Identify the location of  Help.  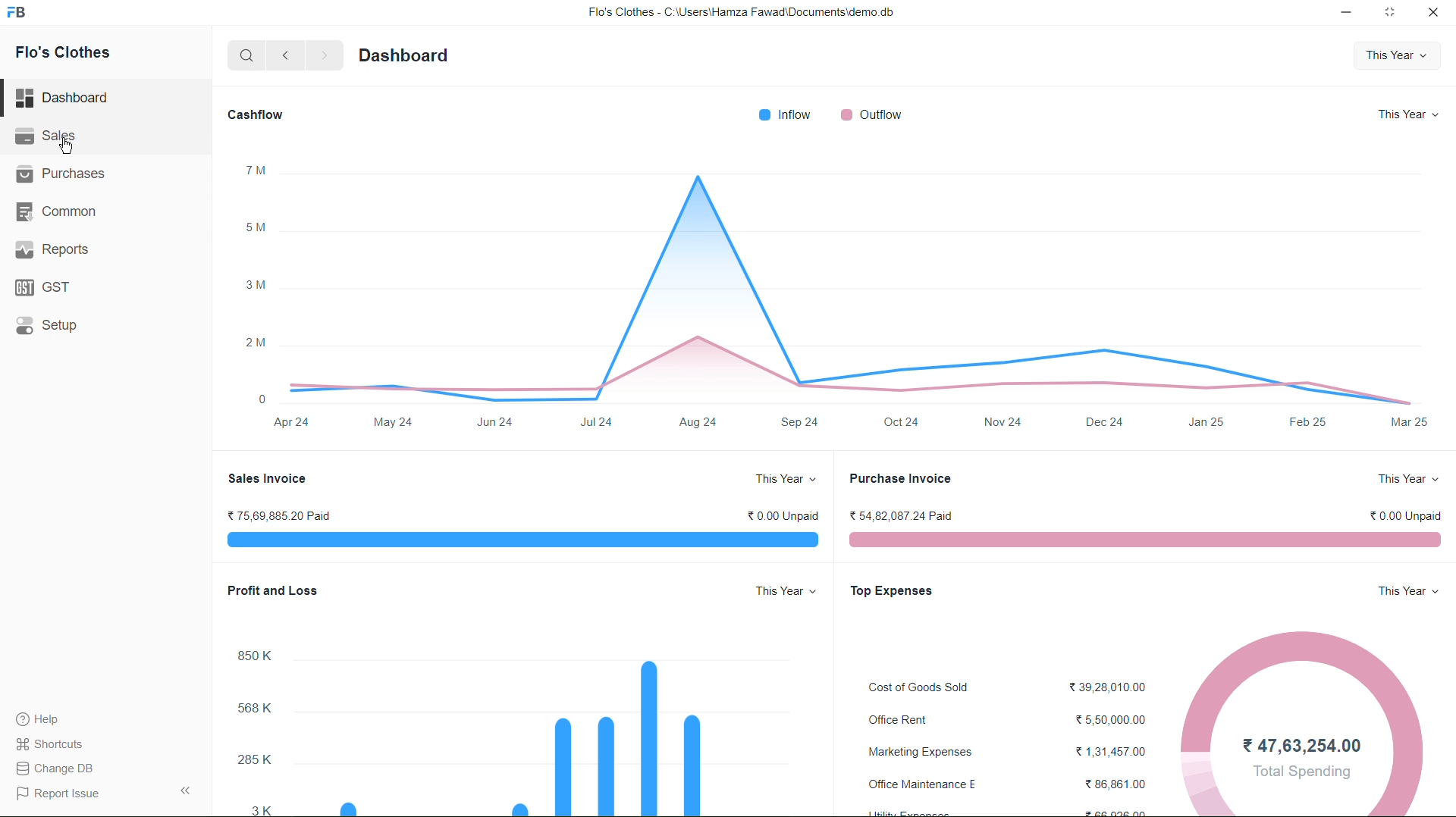
(45, 717).